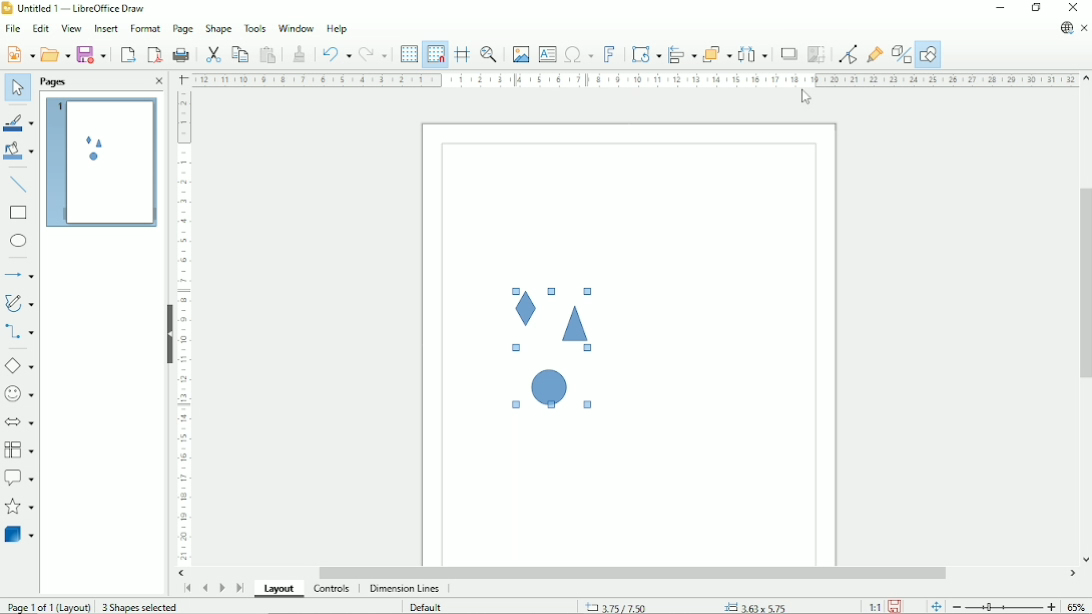 The width and height of the screenshot is (1092, 614). I want to click on Insert fontwork text, so click(609, 54).